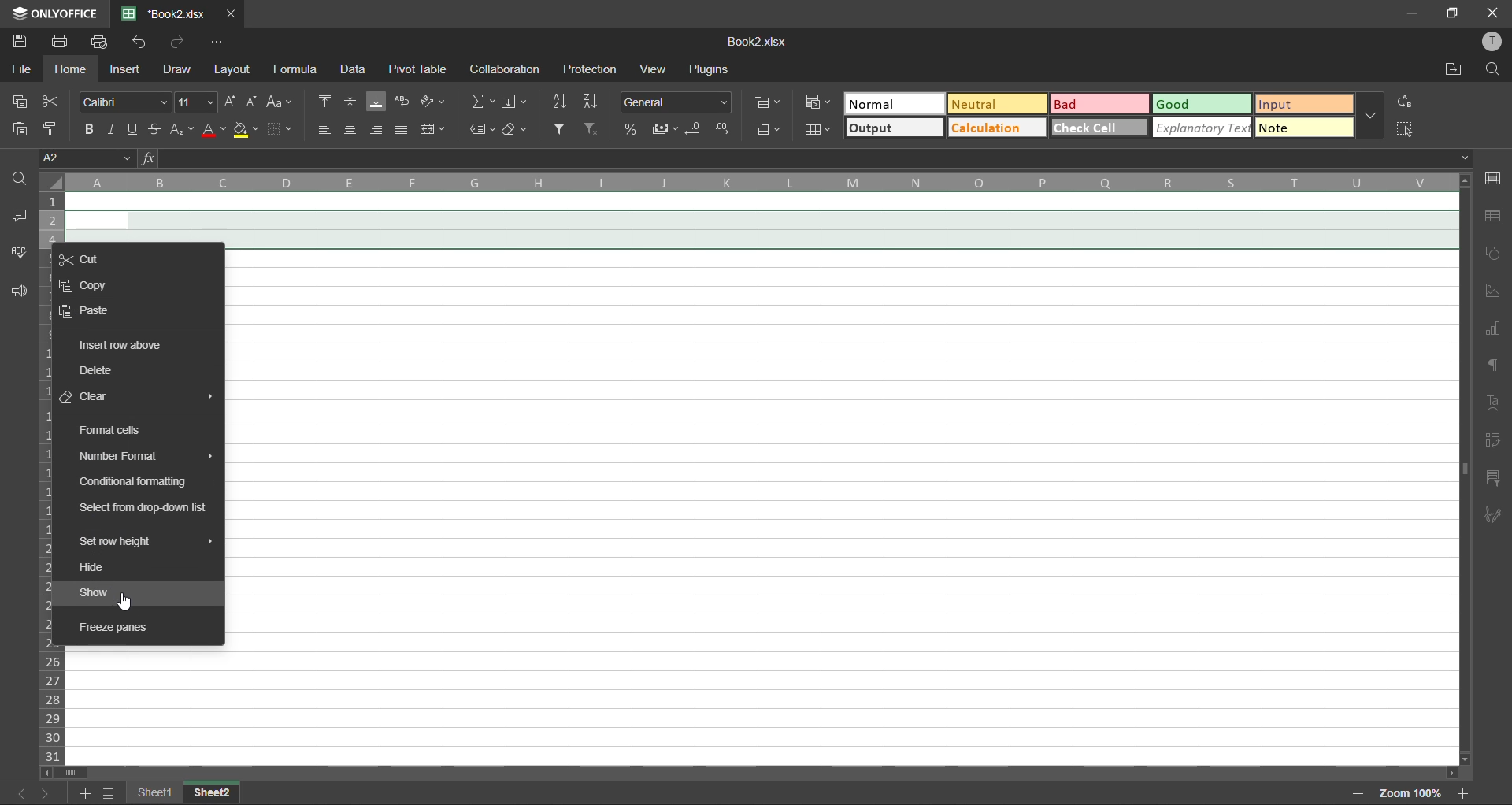 This screenshot has height=805, width=1512. Describe the element at coordinates (115, 431) in the screenshot. I see `format cells` at that location.